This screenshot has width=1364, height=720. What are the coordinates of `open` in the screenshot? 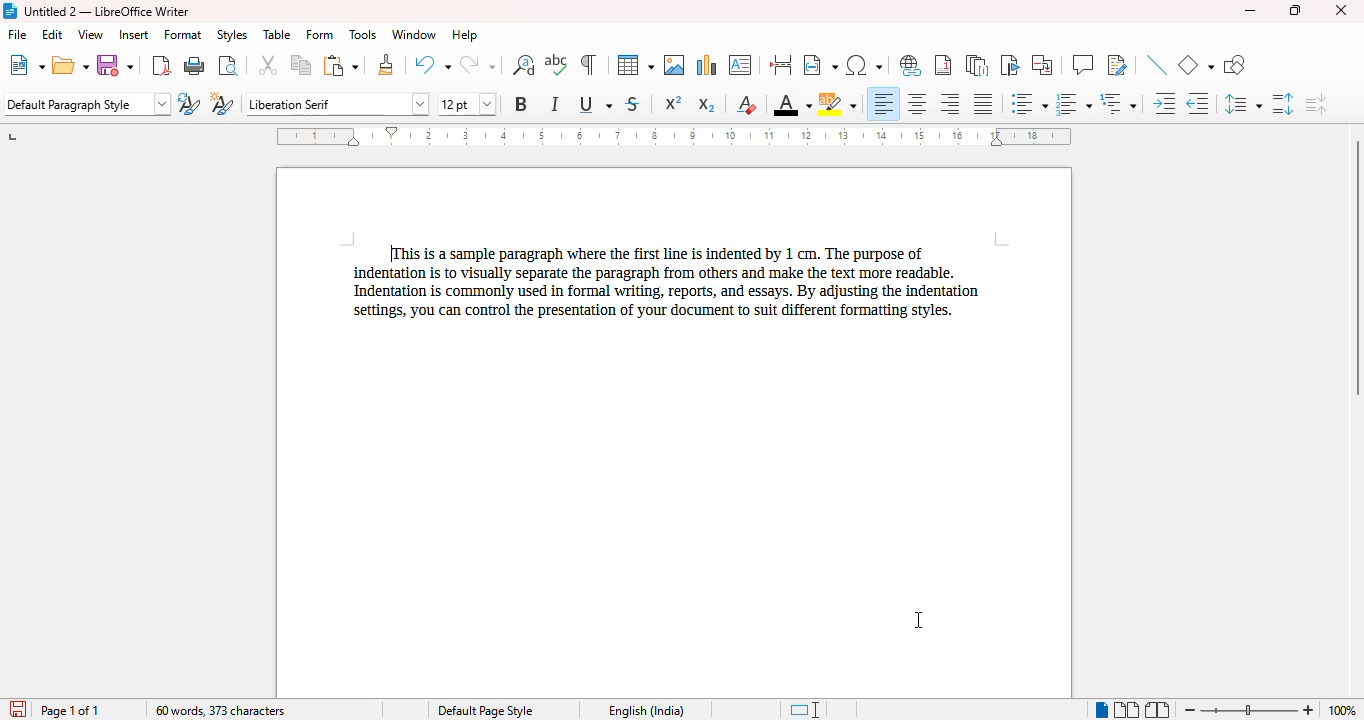 It's located at (71, 65).